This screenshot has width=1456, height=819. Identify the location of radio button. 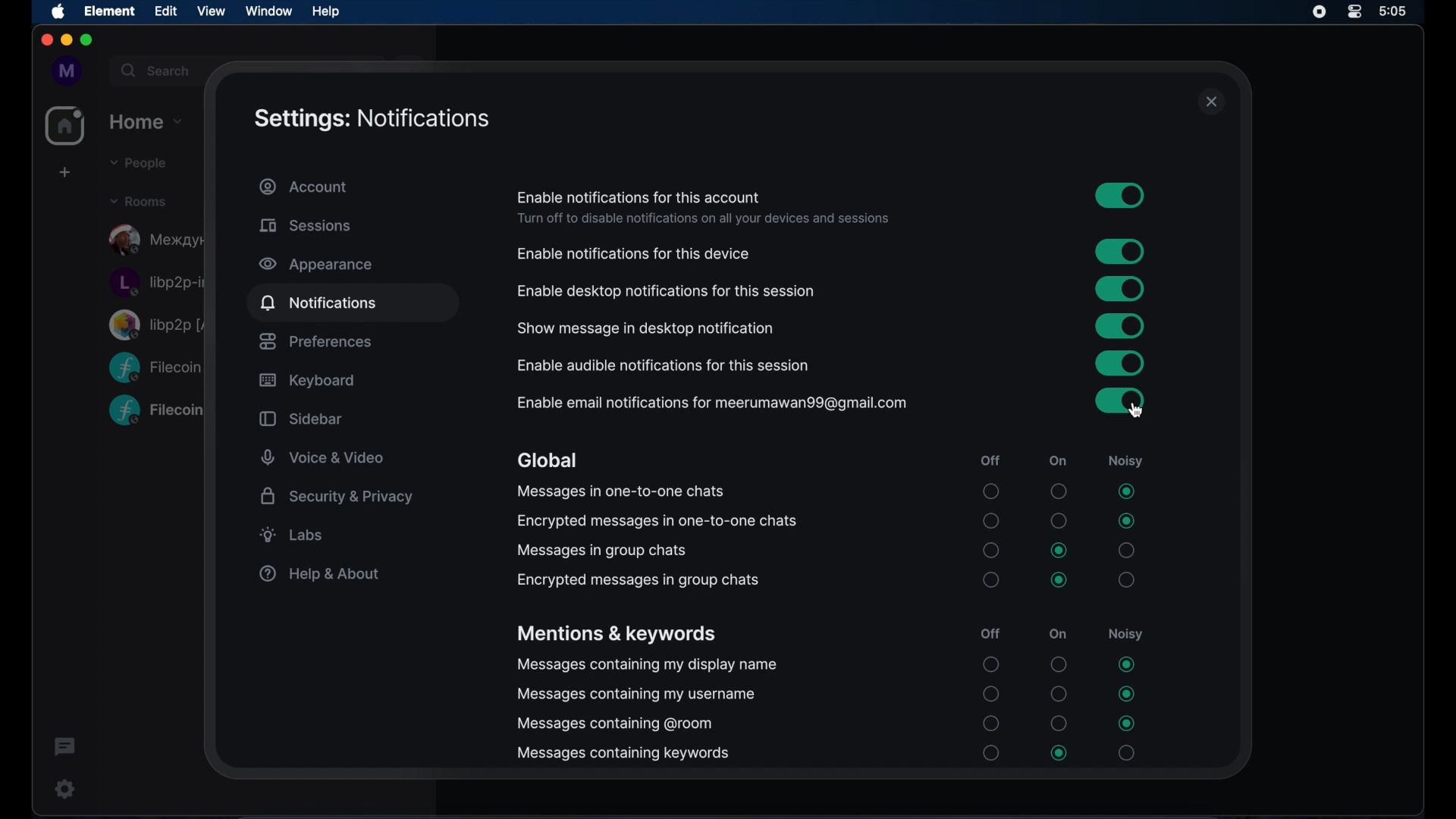
(1128, 579).